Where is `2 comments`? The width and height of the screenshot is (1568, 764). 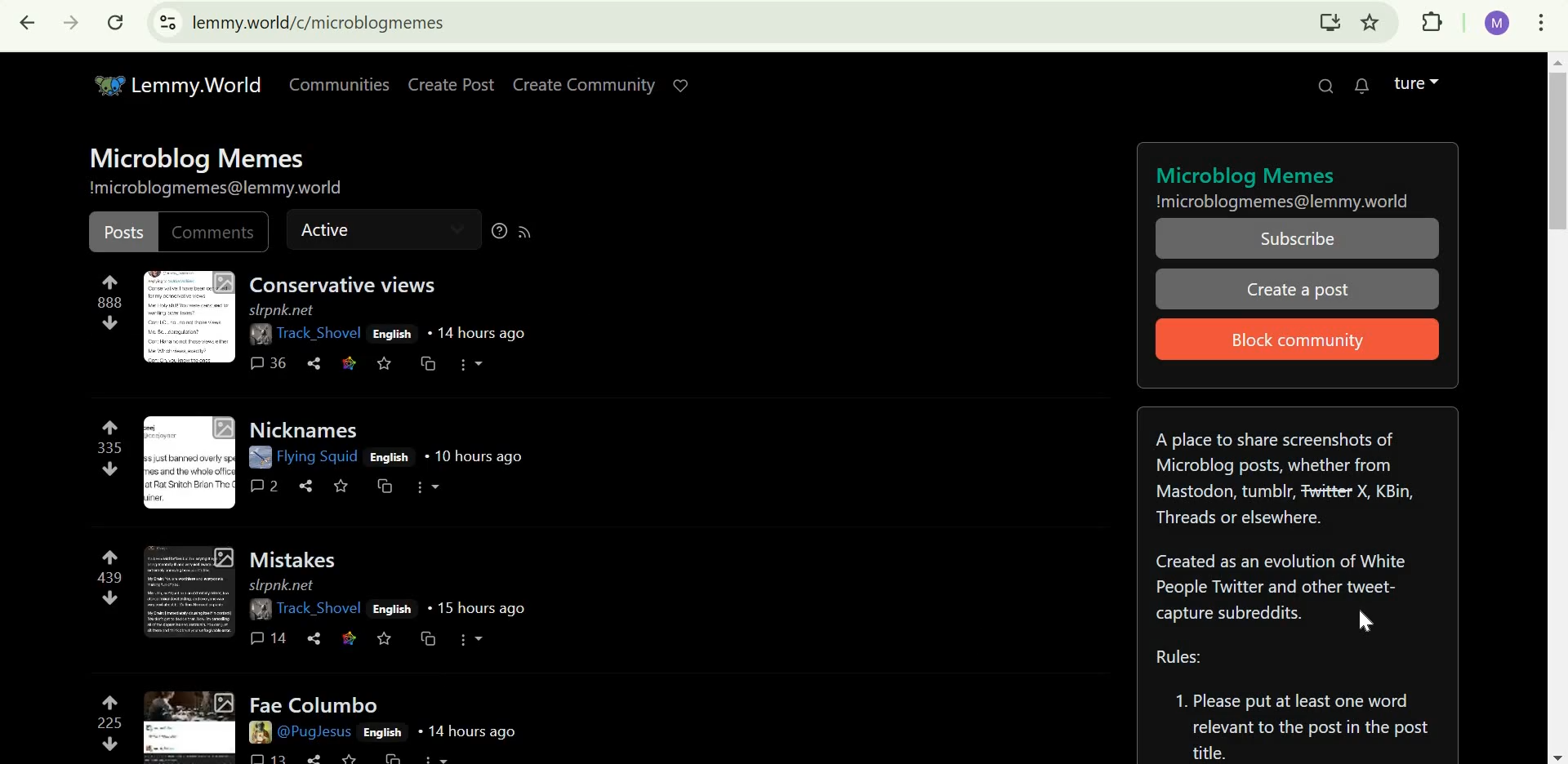 2 comments is located at coordinates (266, 486).